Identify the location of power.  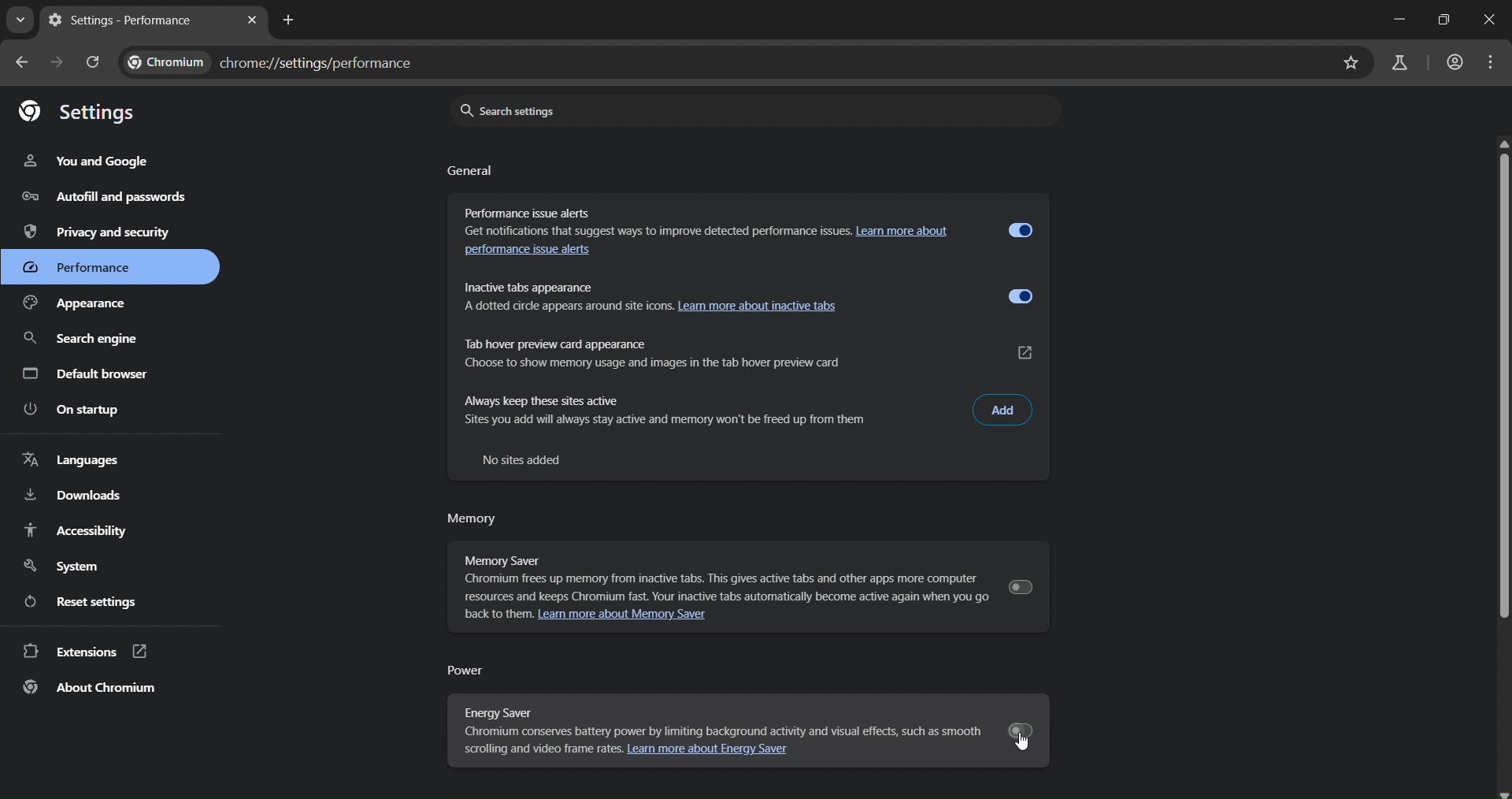
(471, 670).